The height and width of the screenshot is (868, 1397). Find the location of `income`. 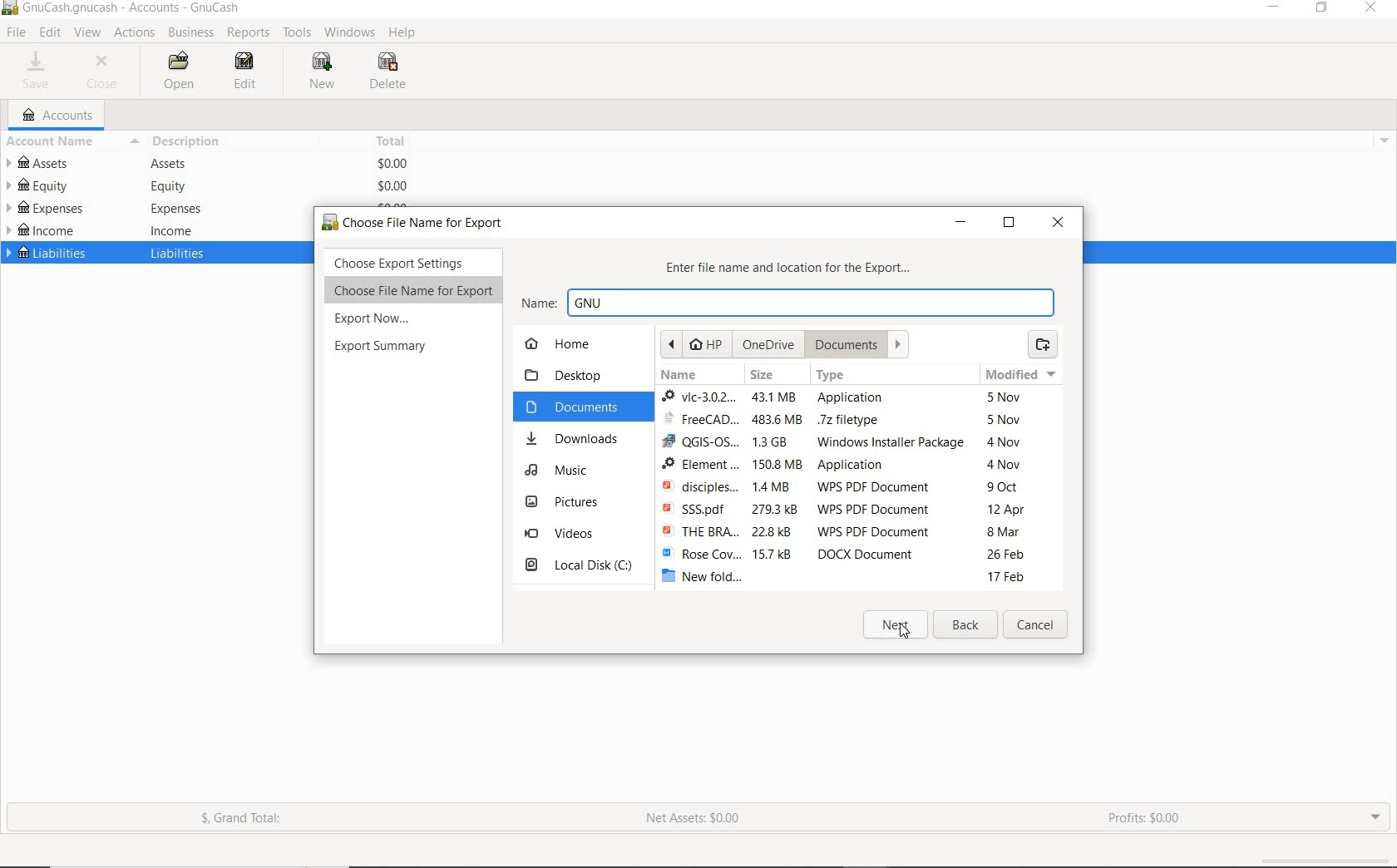

income is located at coordinates (170, 229).